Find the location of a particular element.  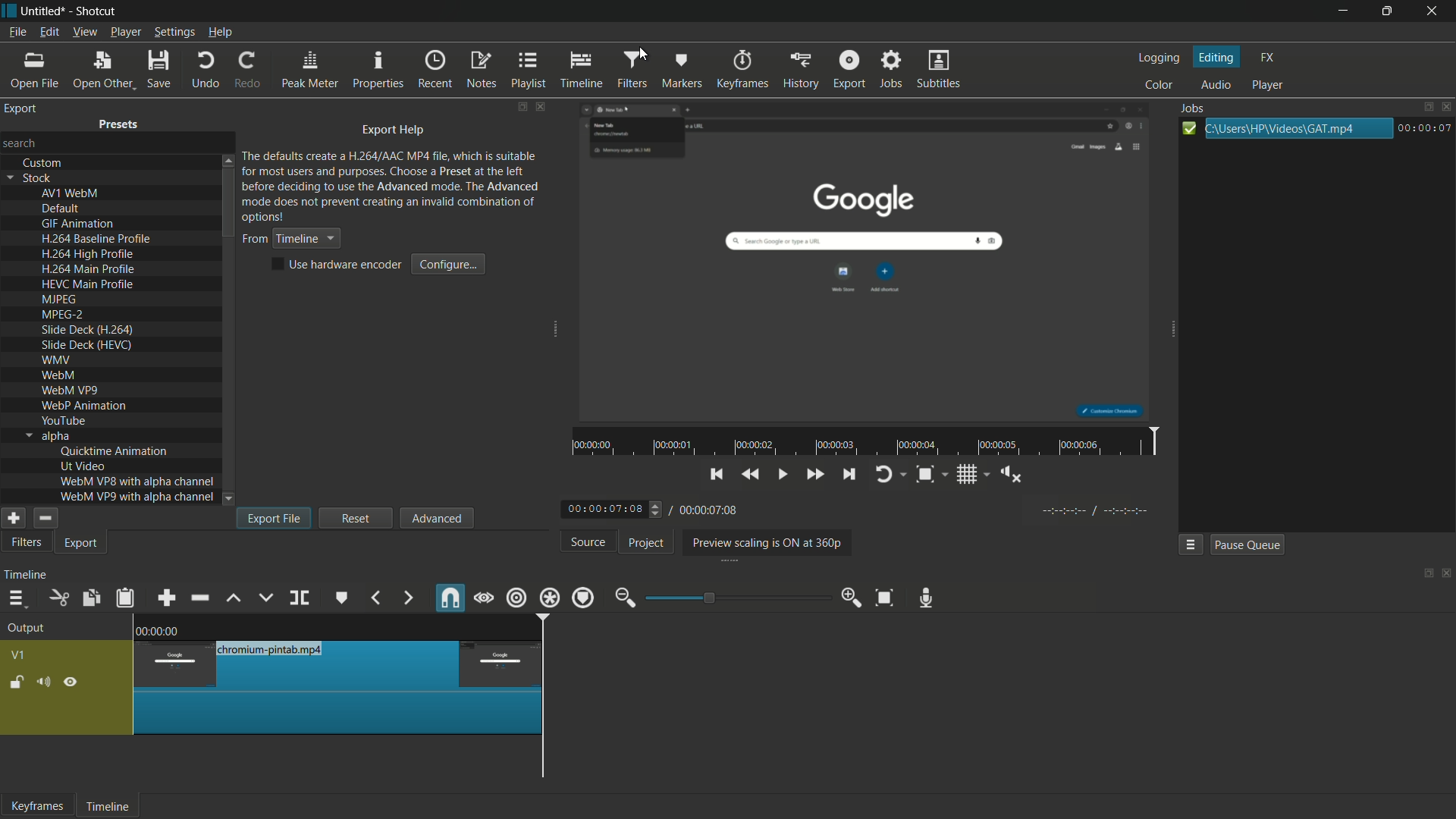

Slide Deck (H.264) is located at coordinates (89, 329).